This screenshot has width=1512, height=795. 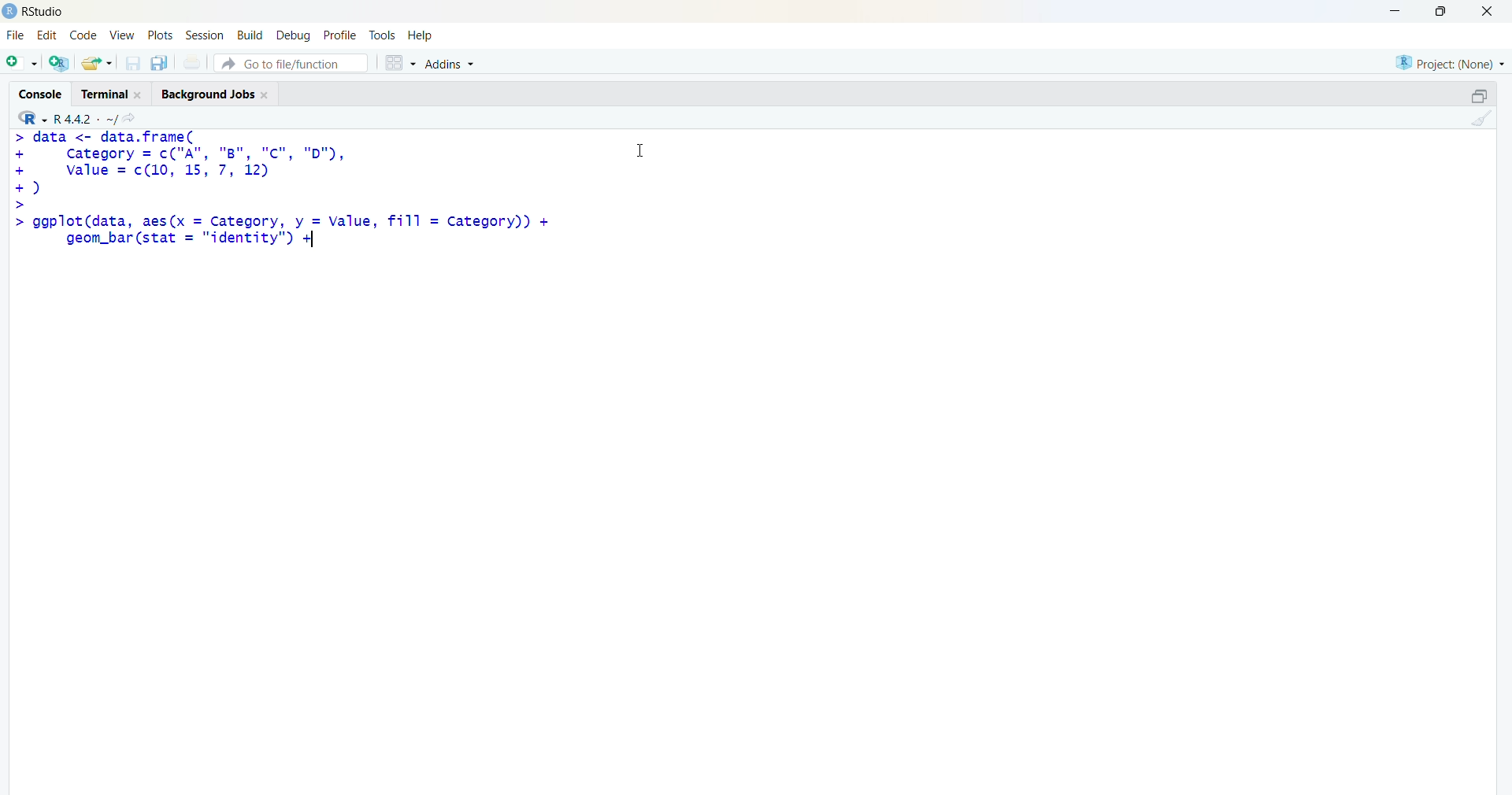 I want to click on # Go to file/function, so click(x=291, y=63).